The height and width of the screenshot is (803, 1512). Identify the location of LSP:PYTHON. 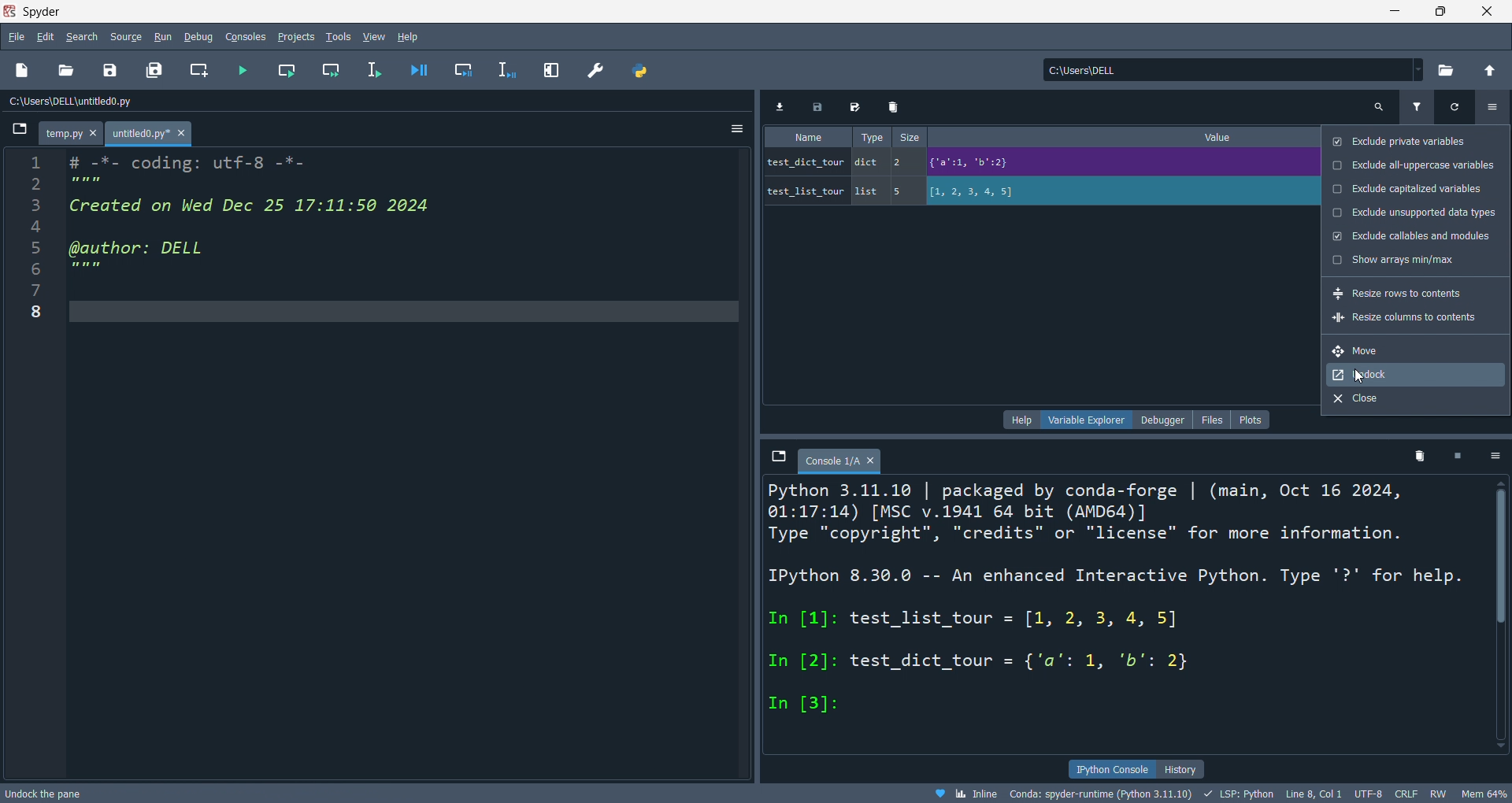
(1242, 794).